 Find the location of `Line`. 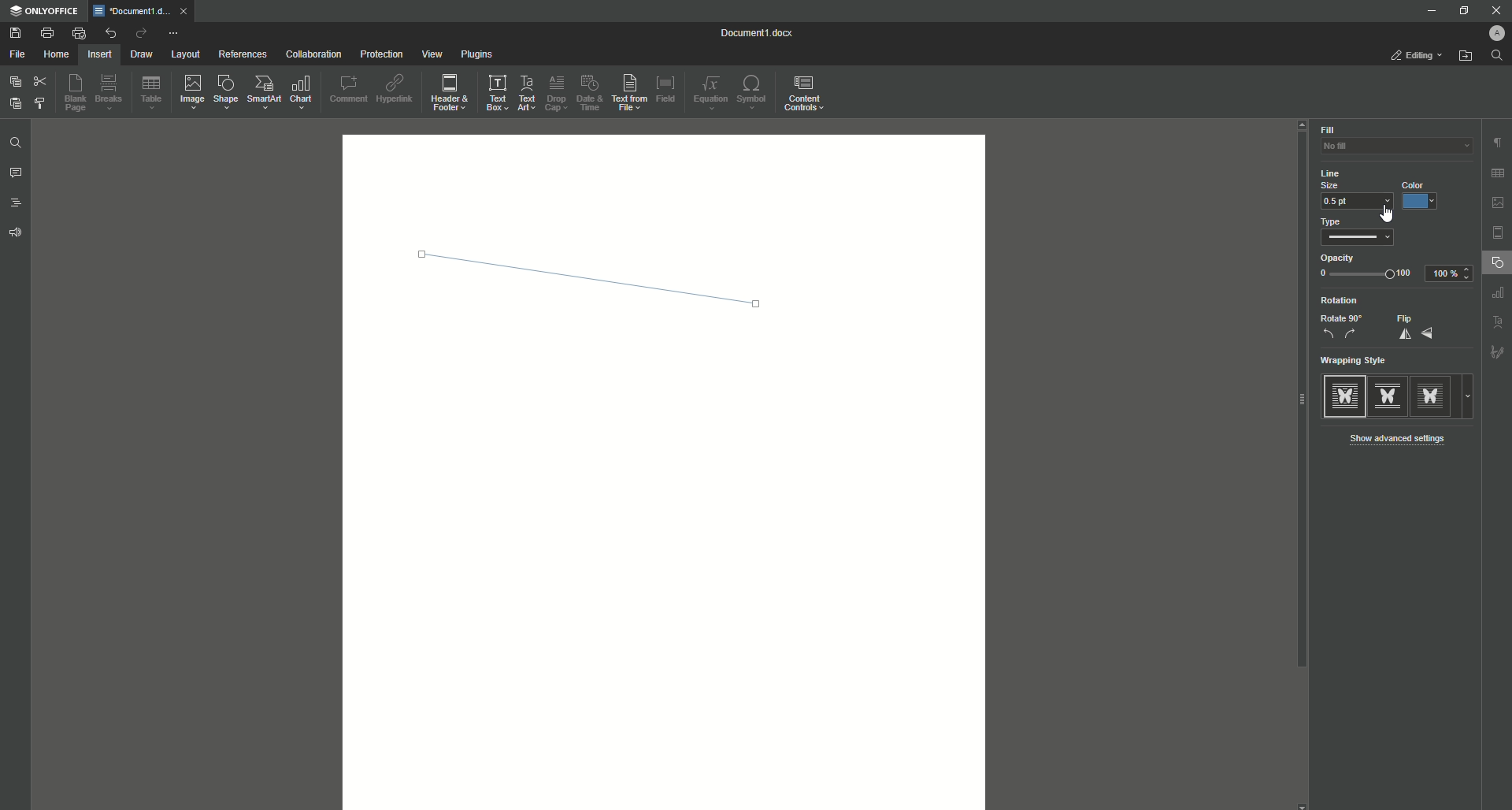

Line is located at coordinates (599, 283).